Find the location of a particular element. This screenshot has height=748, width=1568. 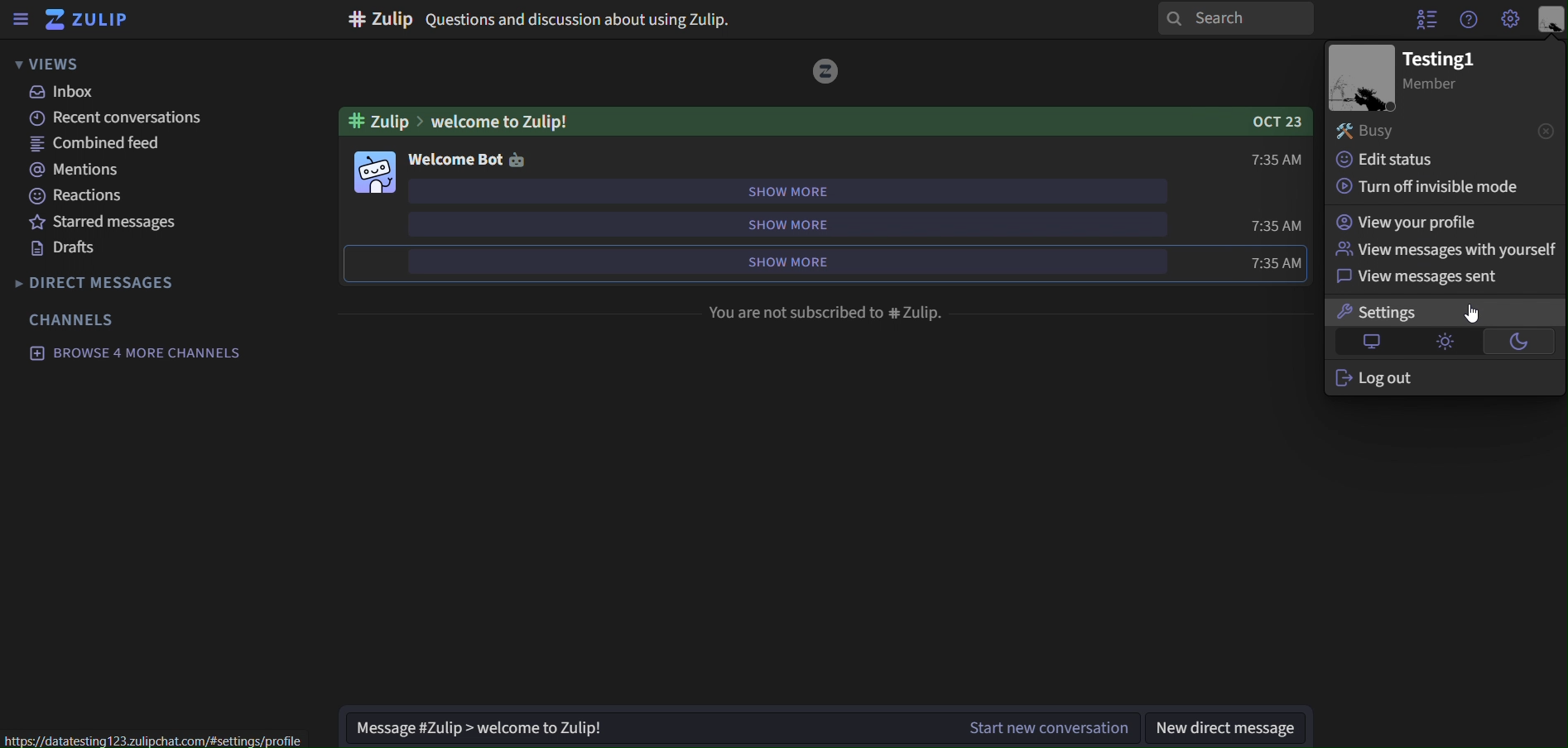

show more is located at coordinates (811, 189).